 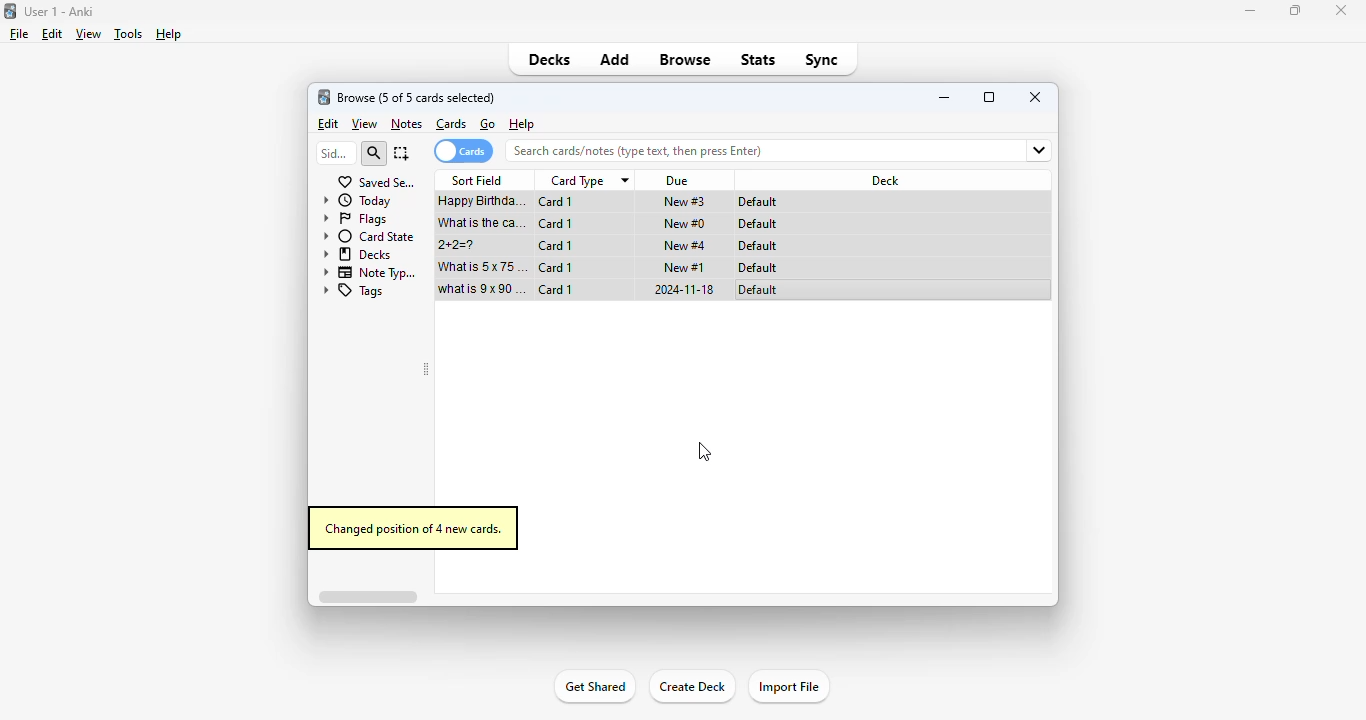 I want to click on create deck, so click(x=691, y=686).